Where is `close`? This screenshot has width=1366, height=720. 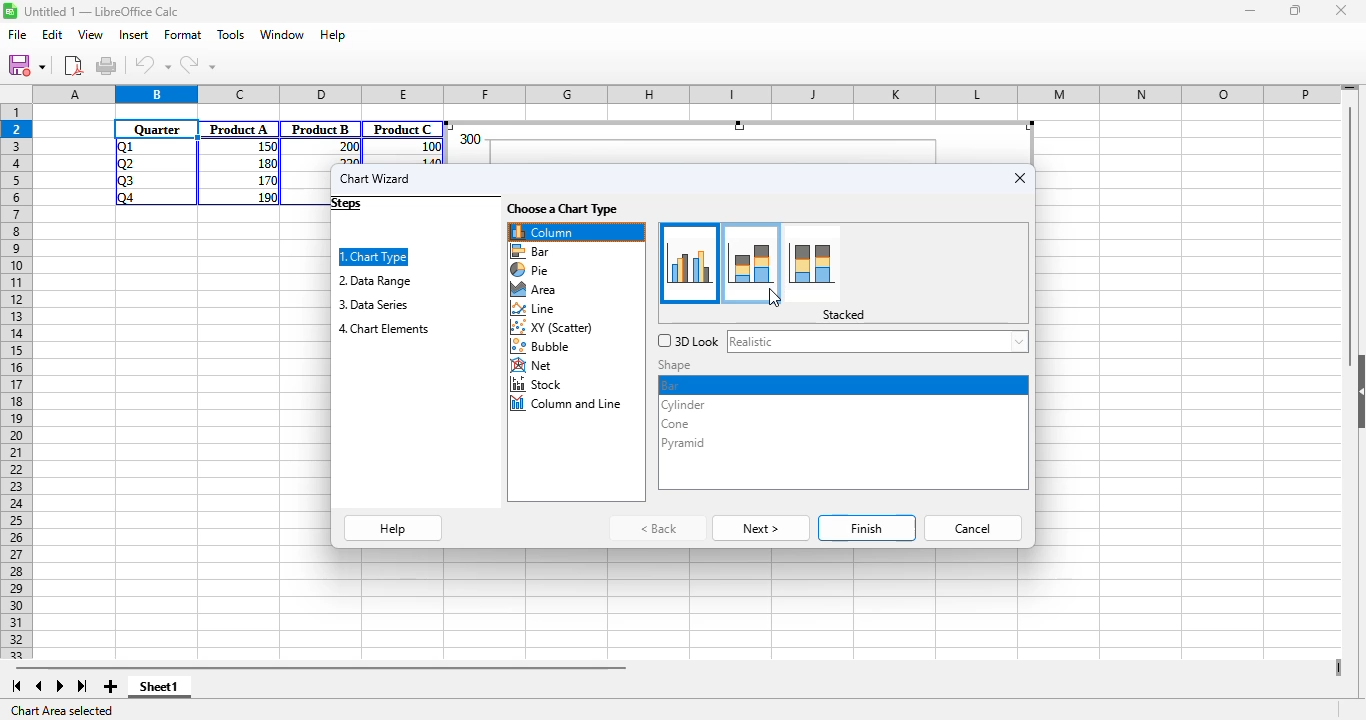 close is located at coordinates (1340, 10).